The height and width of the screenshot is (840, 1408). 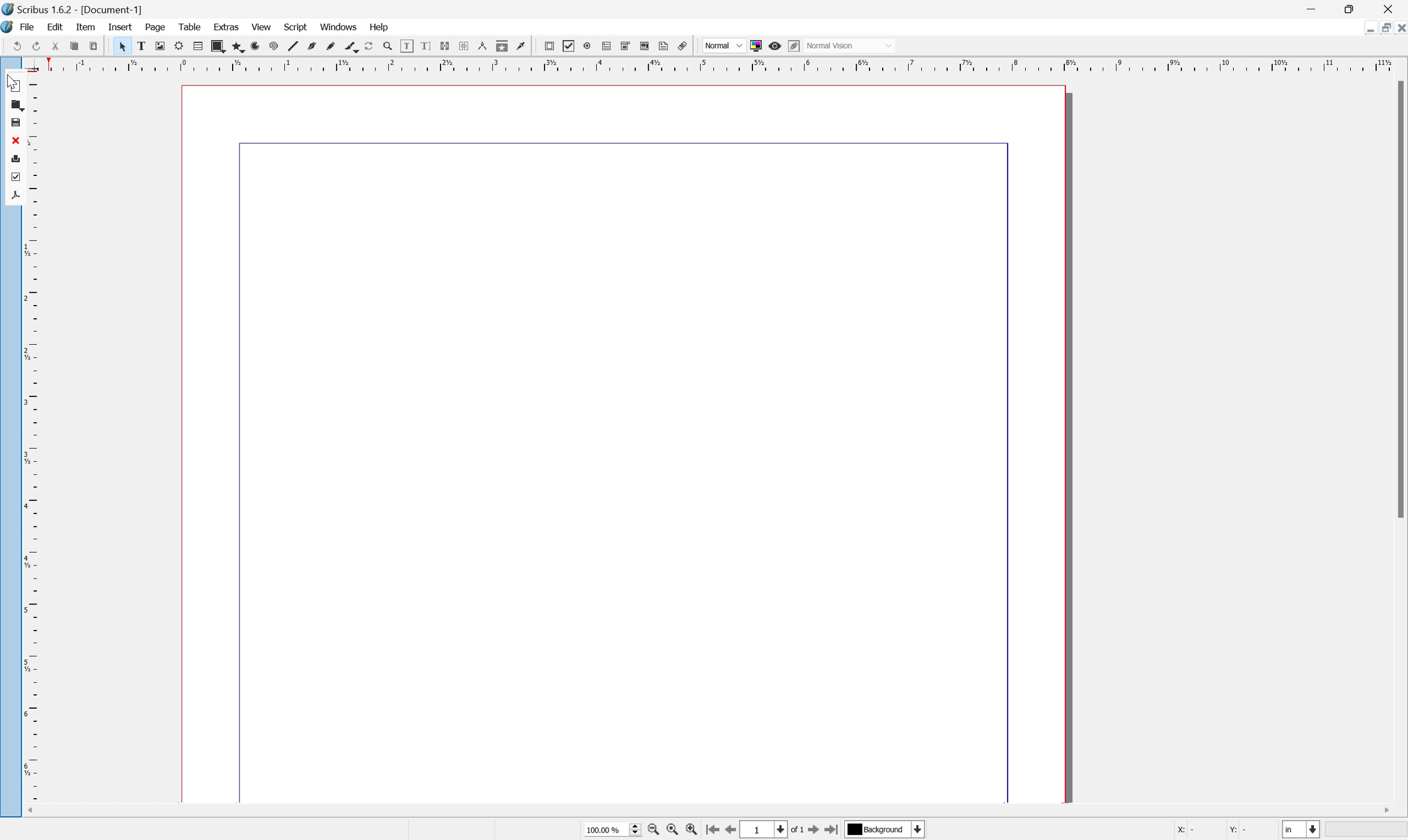 What do you see at coordinates (387, 45) in the screenshot?
I see `arc` at bounding box center [387, 45].